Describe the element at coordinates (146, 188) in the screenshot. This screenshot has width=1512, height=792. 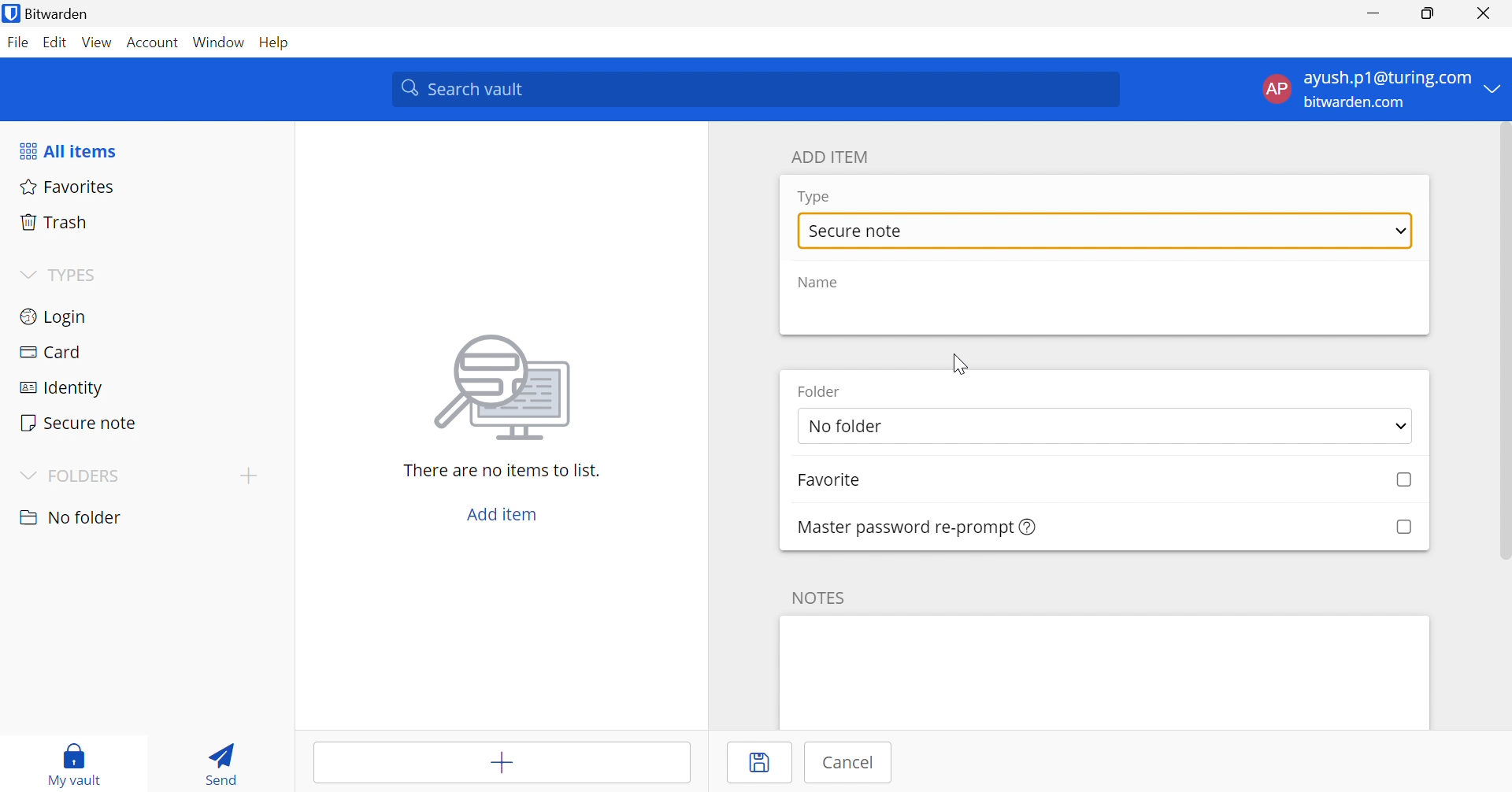
I see `Favorites` at that location.